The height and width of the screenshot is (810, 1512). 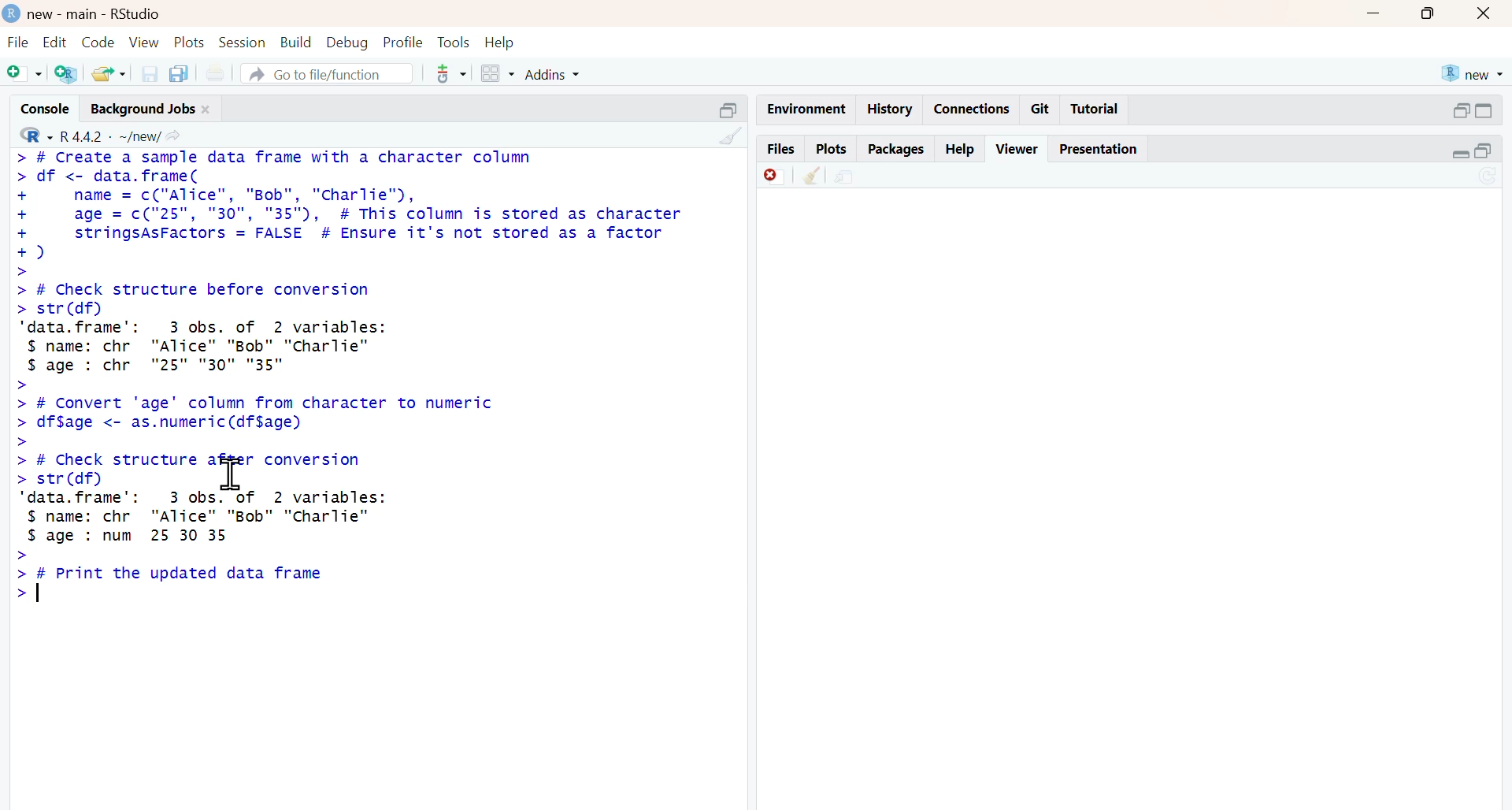 I want to click on copy, so click(x=178, y=74).